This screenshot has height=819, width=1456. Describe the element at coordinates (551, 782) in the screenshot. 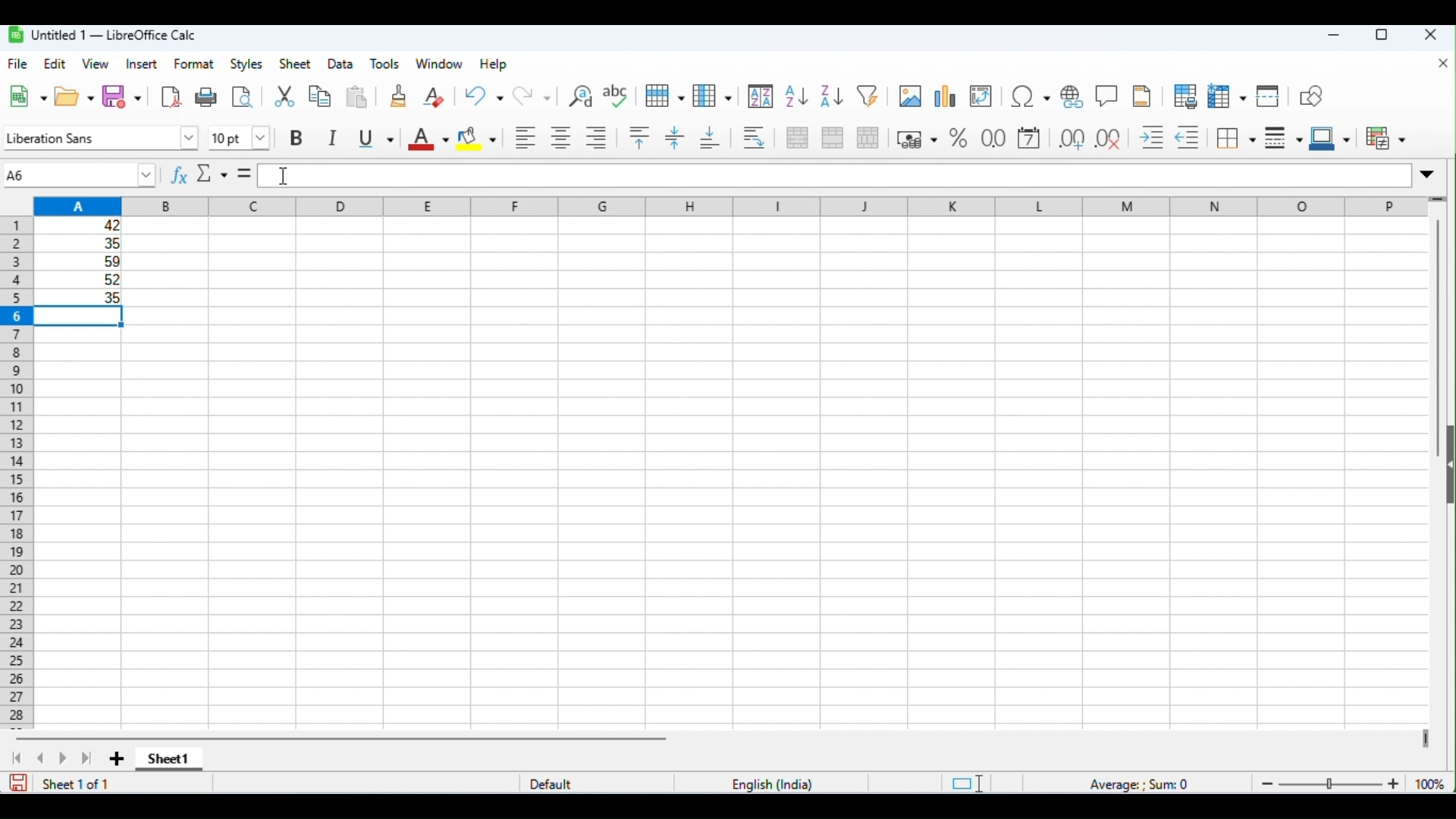

I see `default` at that location.